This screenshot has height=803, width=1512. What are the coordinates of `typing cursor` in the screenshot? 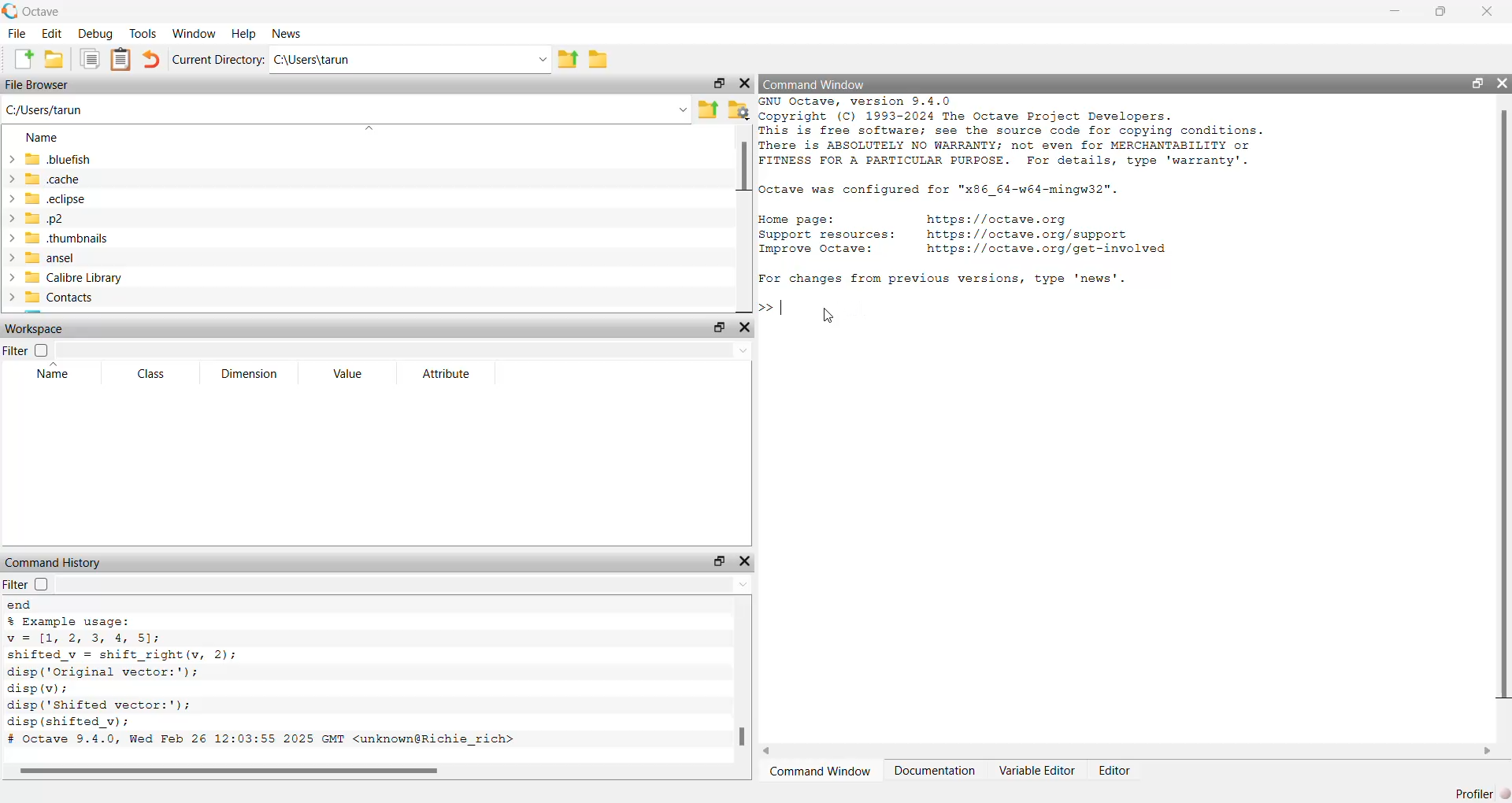 It's located at (784, 305).